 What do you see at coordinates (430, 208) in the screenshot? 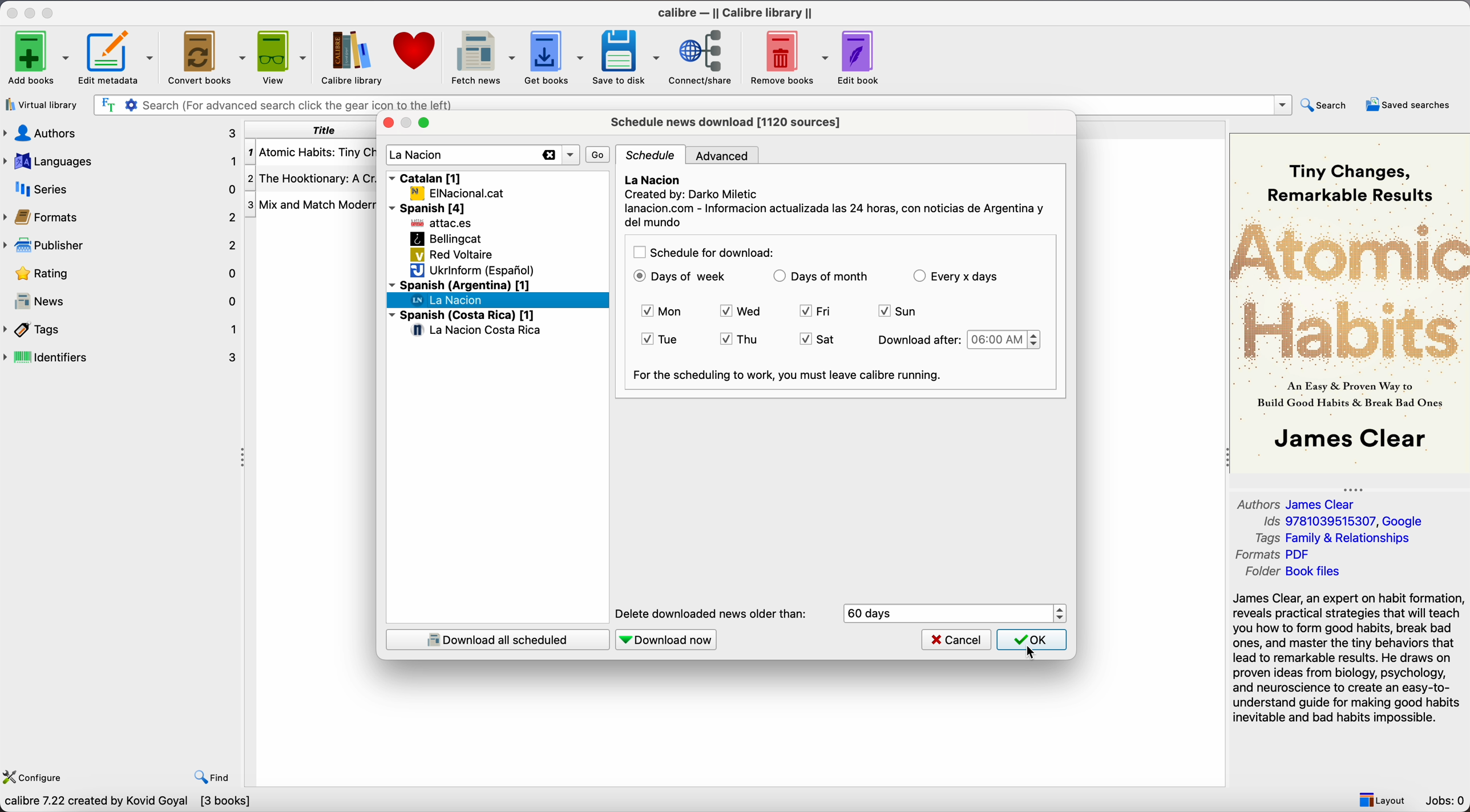
I see `spanish [4]` at bounding box center [430, 208].